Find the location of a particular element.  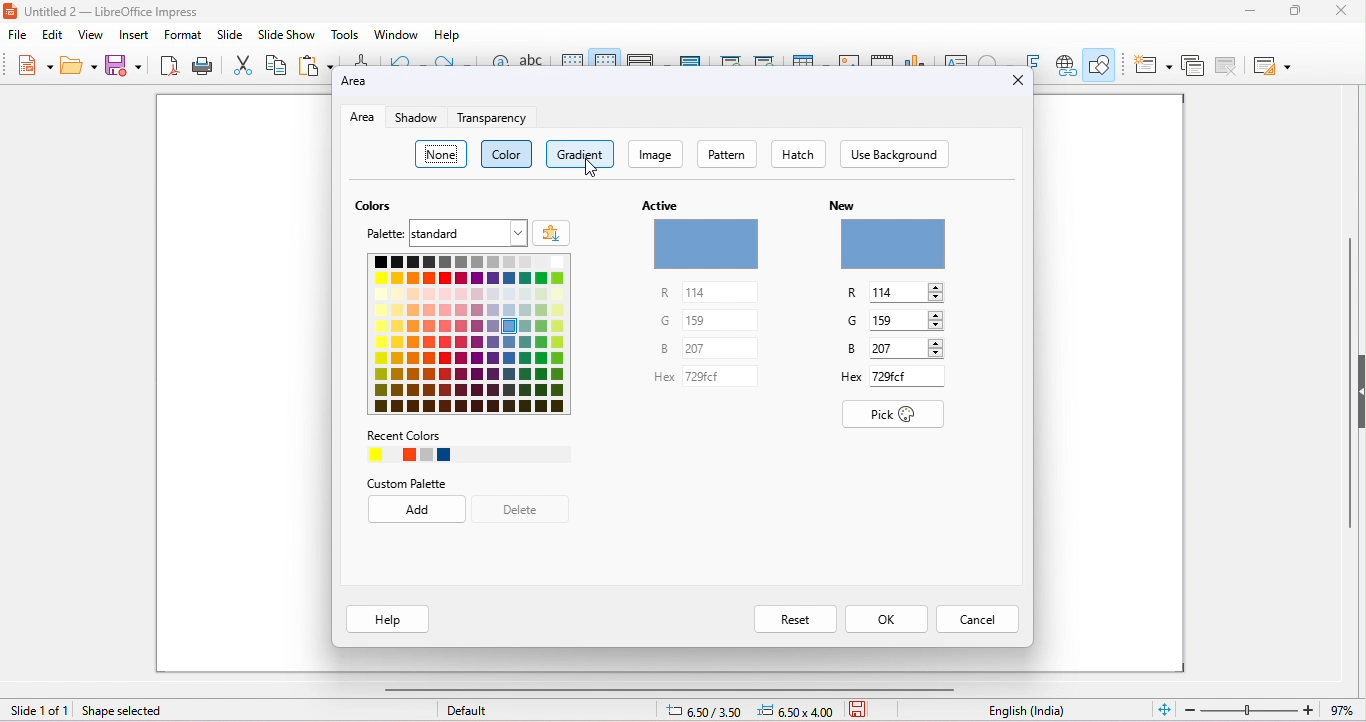

insert text box is located at coordinates (954, 58).